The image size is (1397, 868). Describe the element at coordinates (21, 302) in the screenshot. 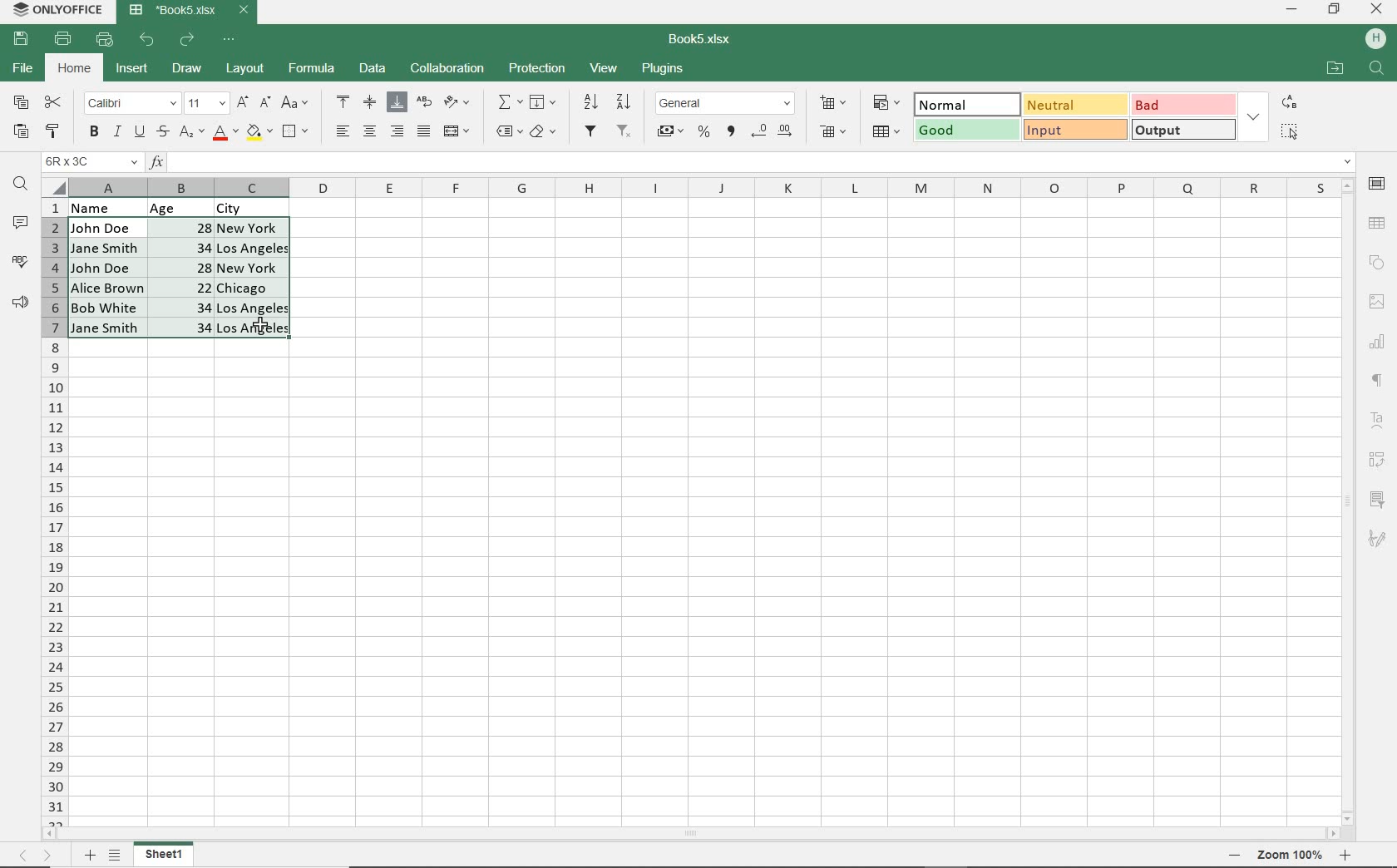

I see `FEEDBACK & SUPPORT` at that location.